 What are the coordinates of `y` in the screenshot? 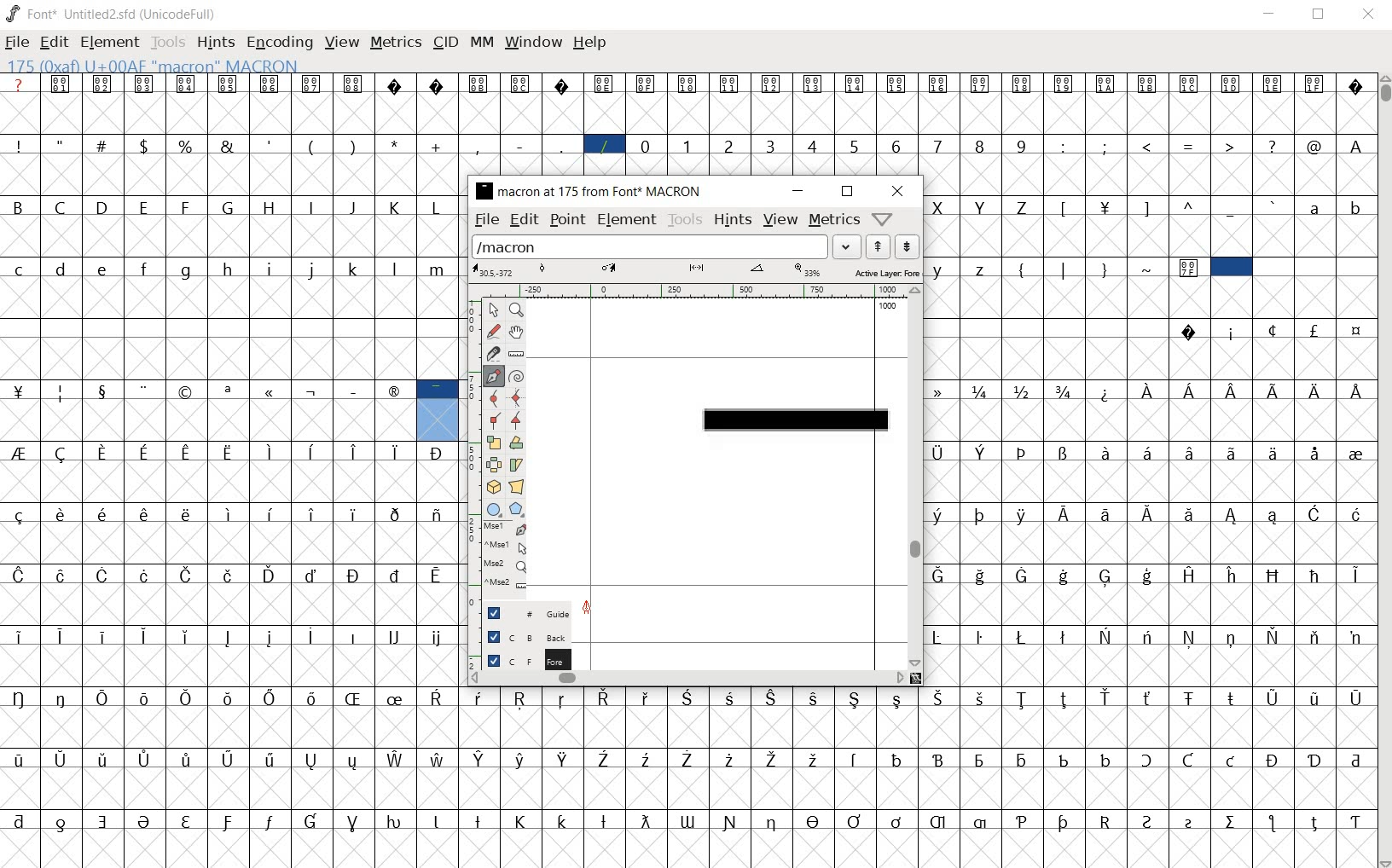 It's located at (940, 269).